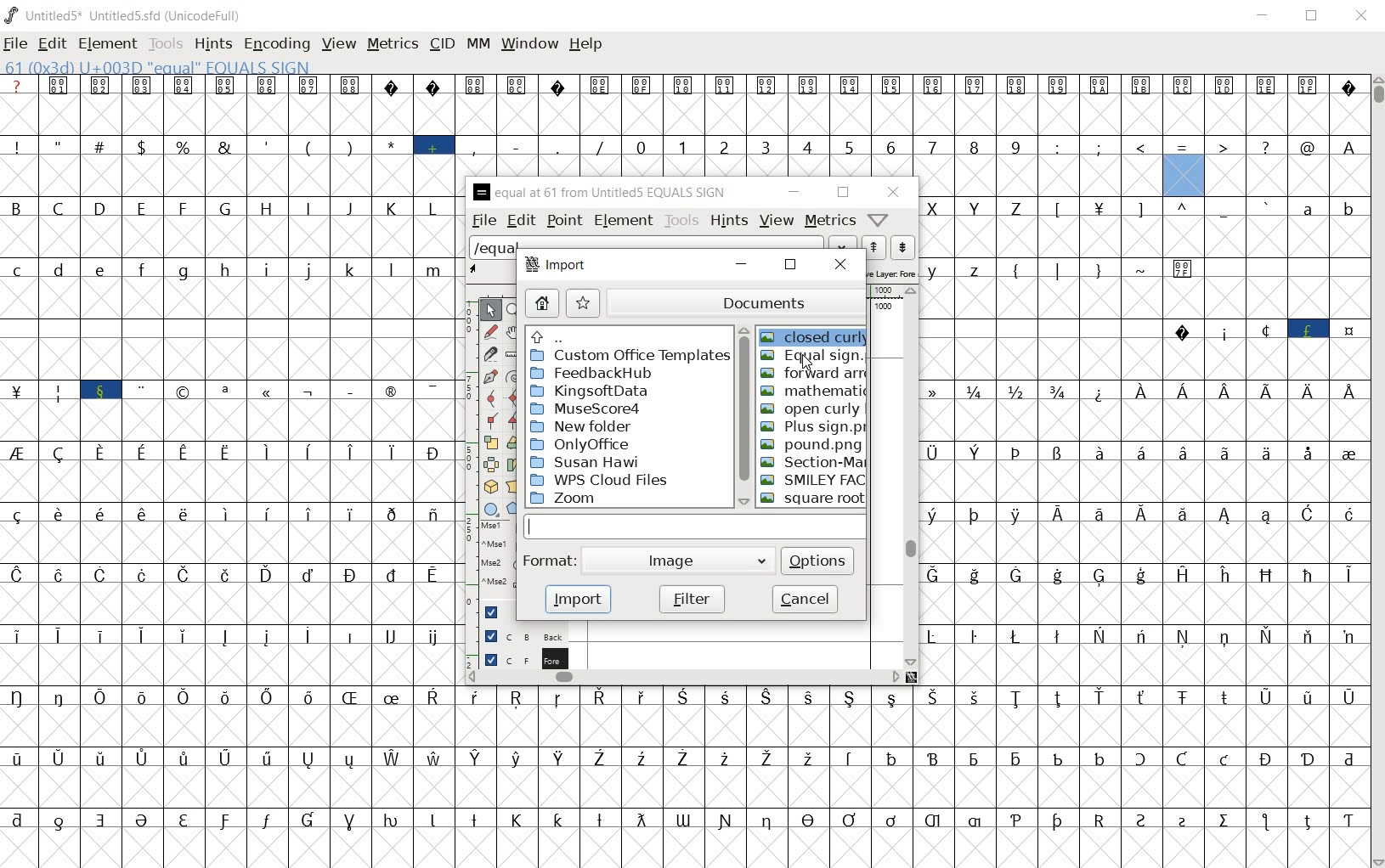  What do you see at coordinates (740, 267) in the screenshot?
I see `minimize` at bounding box center [740, 267].